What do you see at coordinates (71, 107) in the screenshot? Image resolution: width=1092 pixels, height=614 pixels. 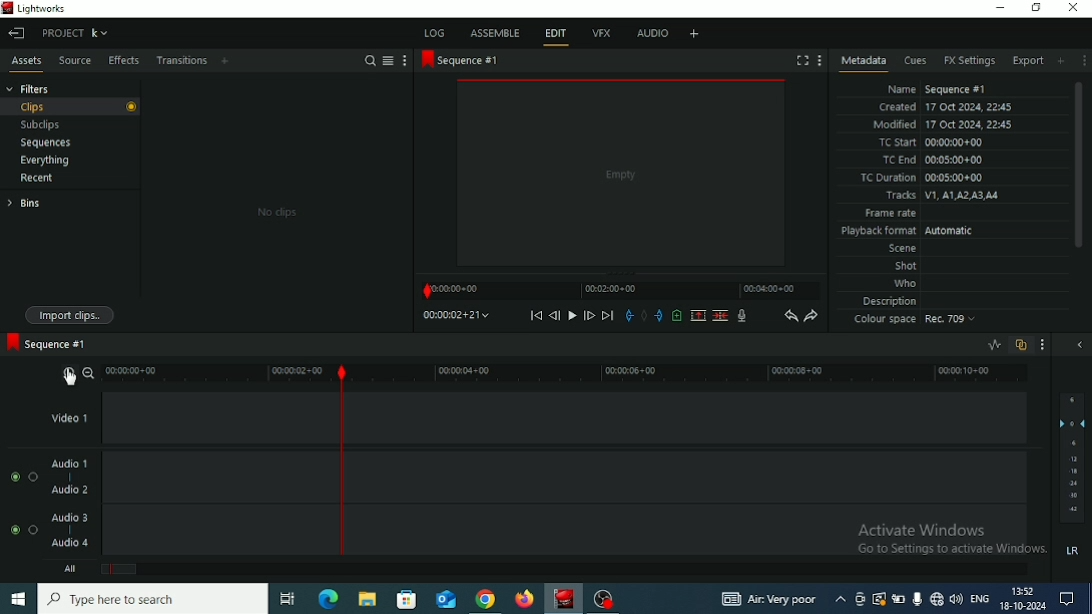 I see `Clips` at bounding box center [71, 107].